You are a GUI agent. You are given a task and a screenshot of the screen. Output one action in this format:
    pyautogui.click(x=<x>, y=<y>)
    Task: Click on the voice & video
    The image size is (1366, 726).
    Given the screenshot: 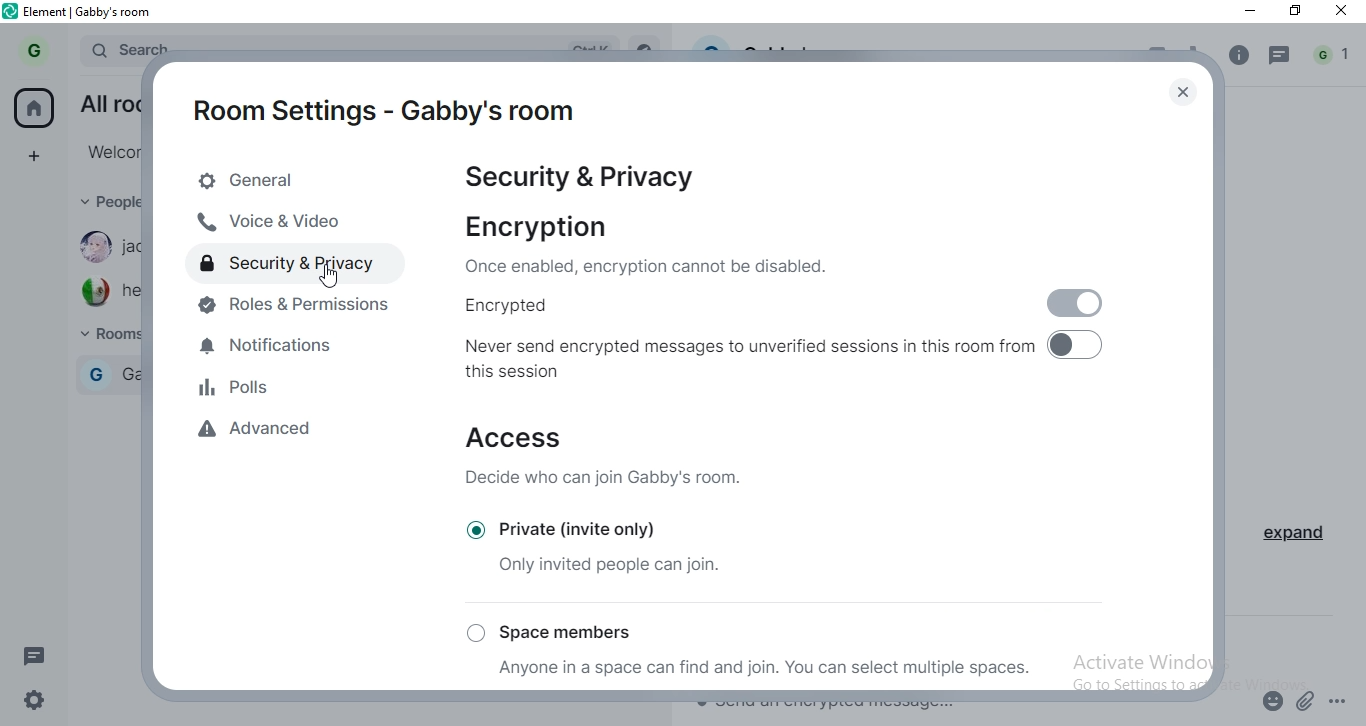 What is the action you would take?
    pyautogui.click(x=289, y=223)
    